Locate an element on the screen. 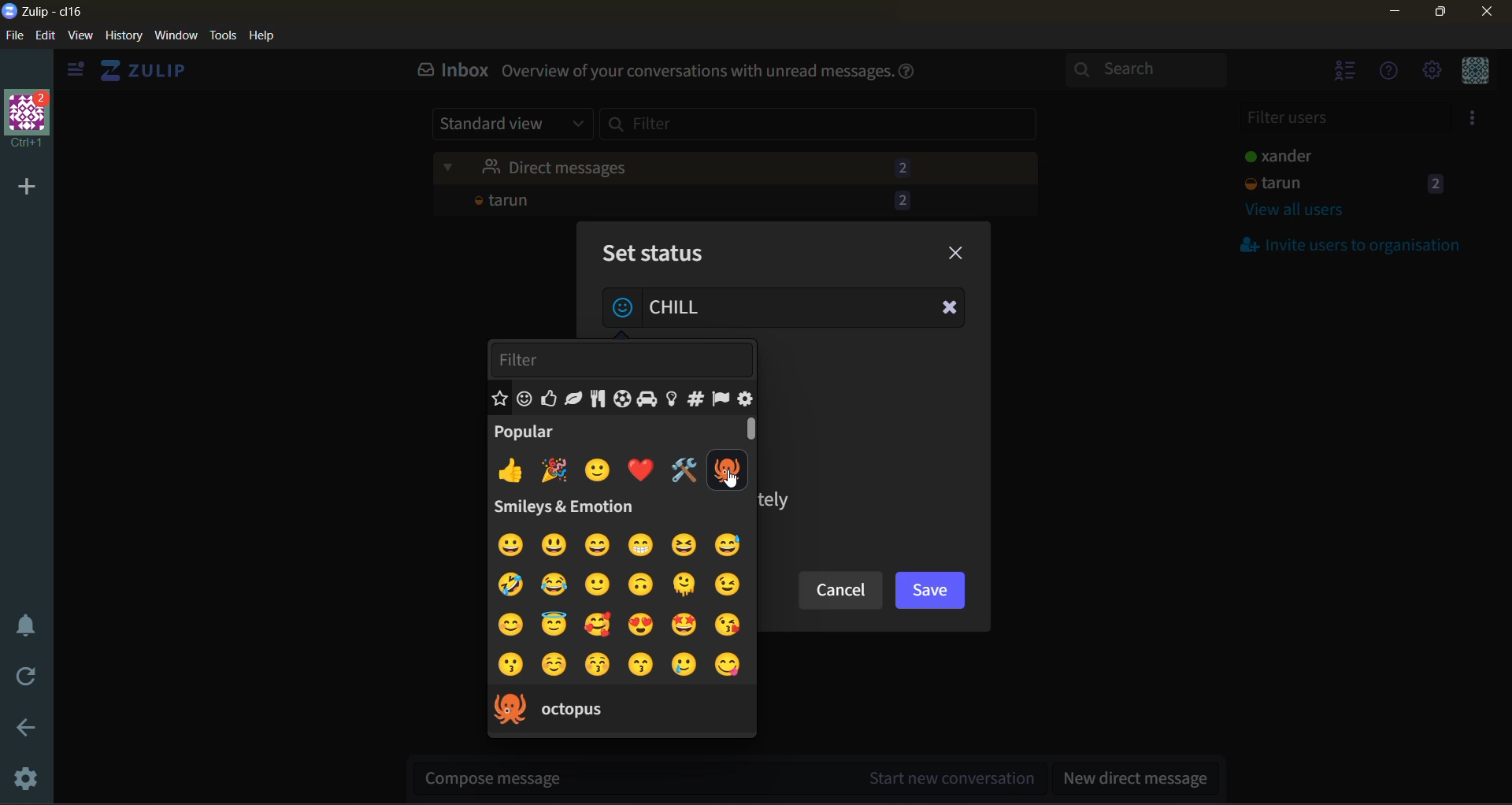  emoji is located at coordinates (640, 469).